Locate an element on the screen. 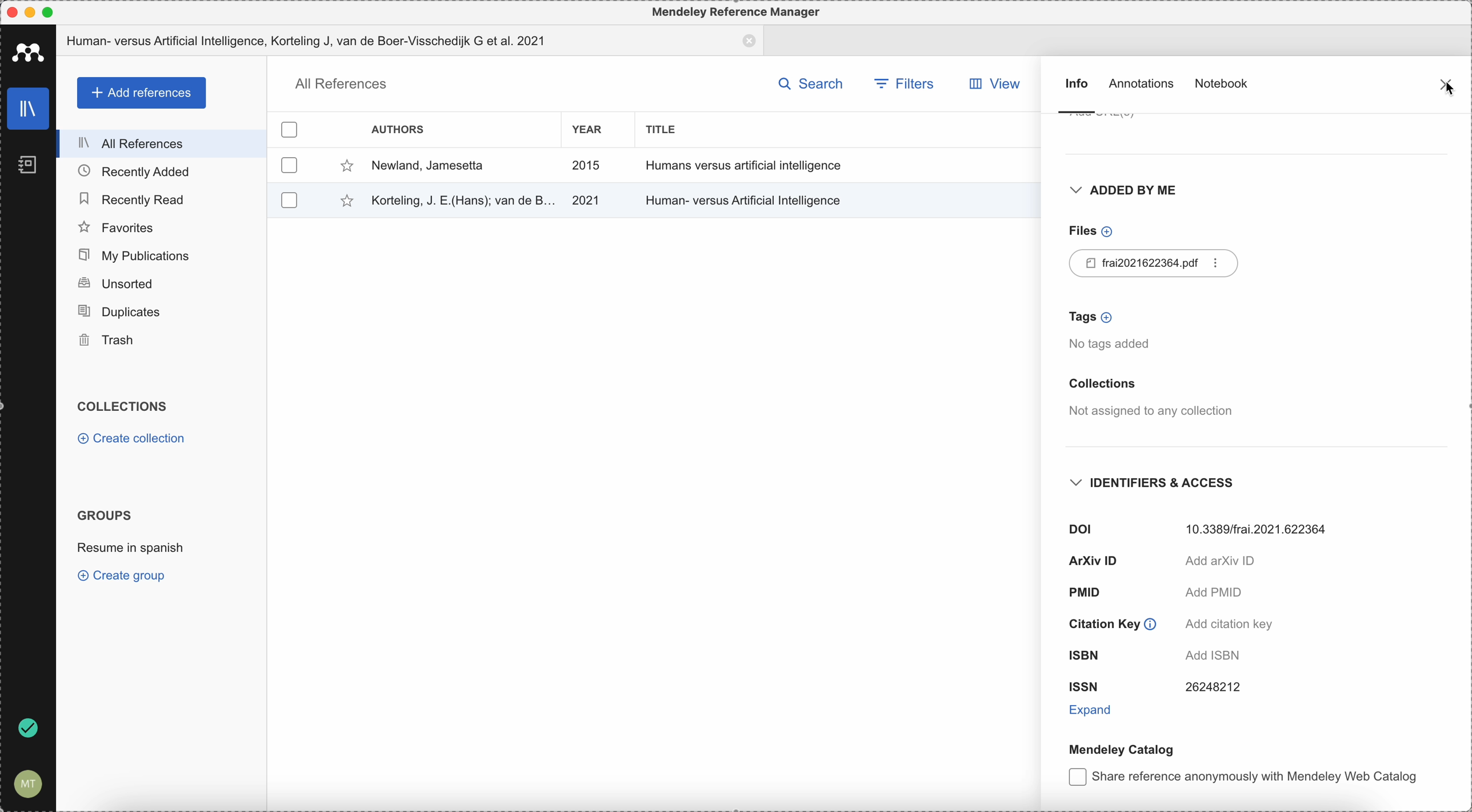 This screenshot has width=1472, height=812. Human versus Artificial Intelligence, Korteling J; van de Boer-Vesschedjk et al. 2021 is located at coordinates (410, 41).